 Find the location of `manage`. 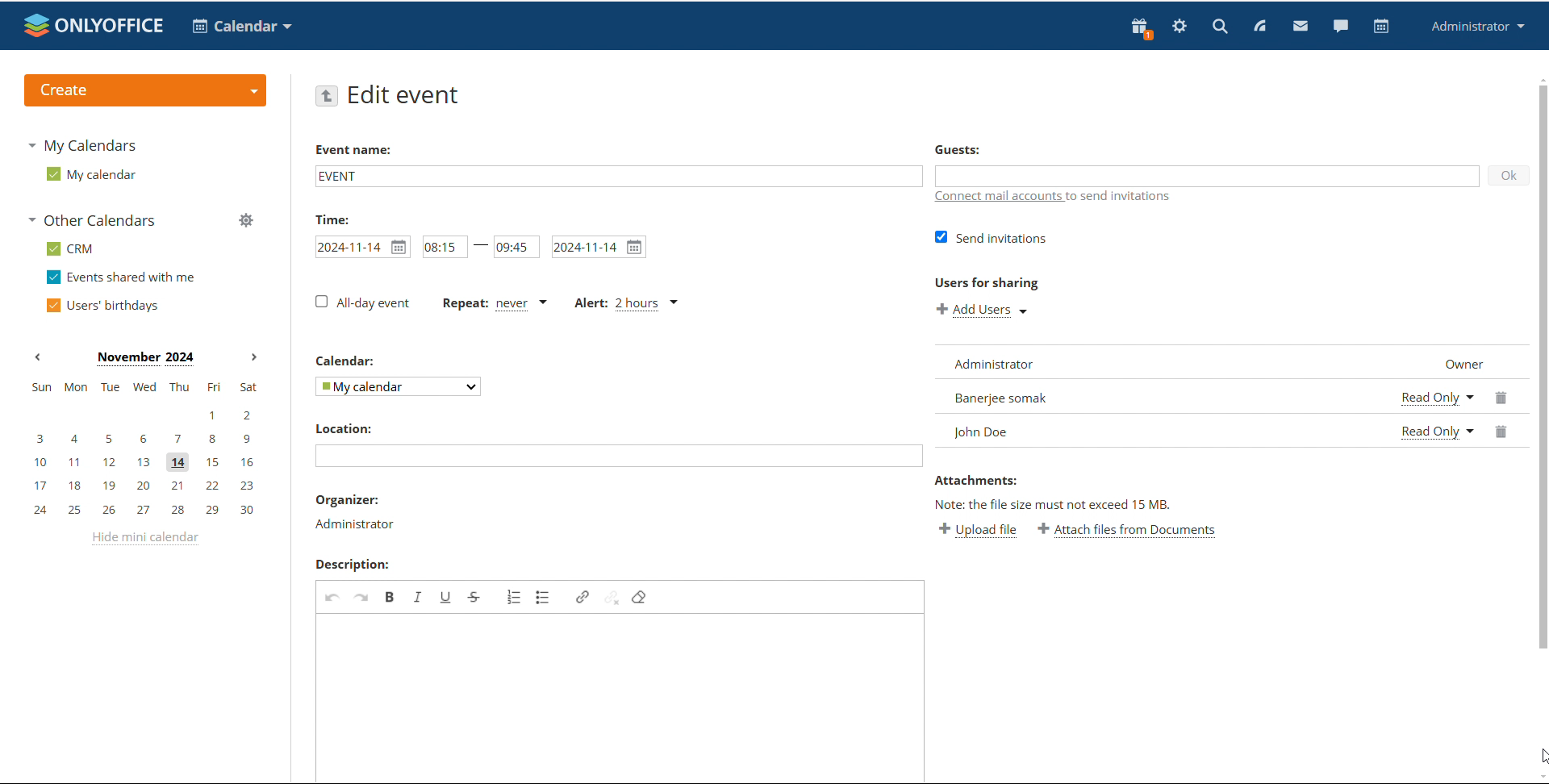

manage is located at coordinates (246, 220).